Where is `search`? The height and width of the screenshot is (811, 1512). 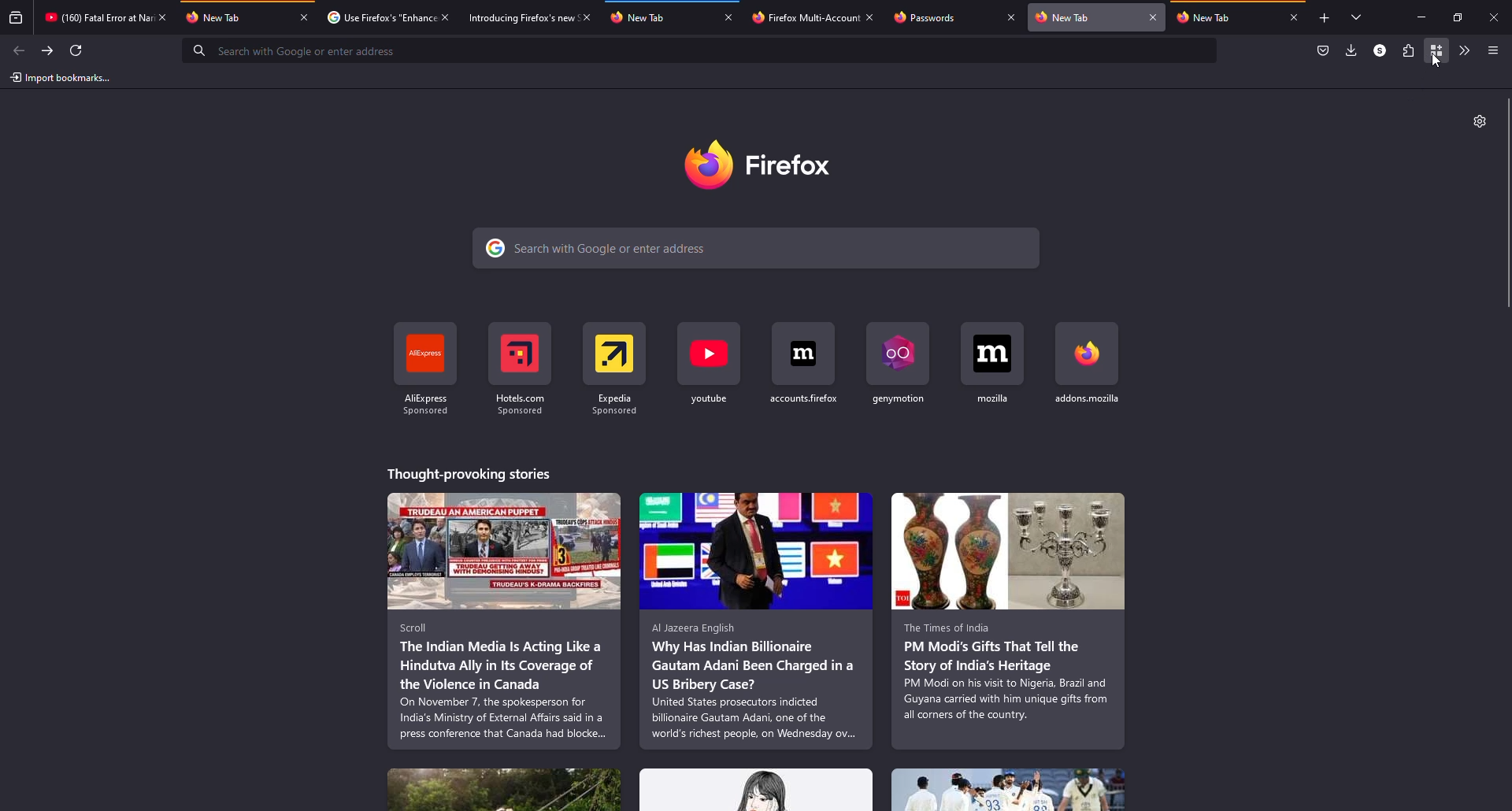
search is located at coordinates (701, 50).